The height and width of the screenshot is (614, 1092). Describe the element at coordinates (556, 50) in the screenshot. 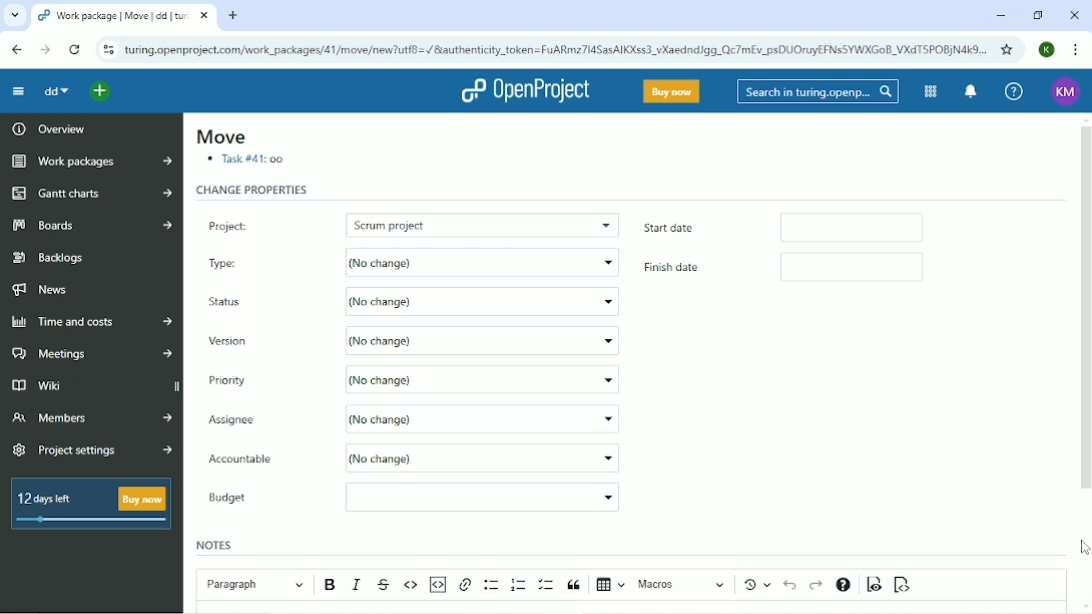

I see `Site` at that location.